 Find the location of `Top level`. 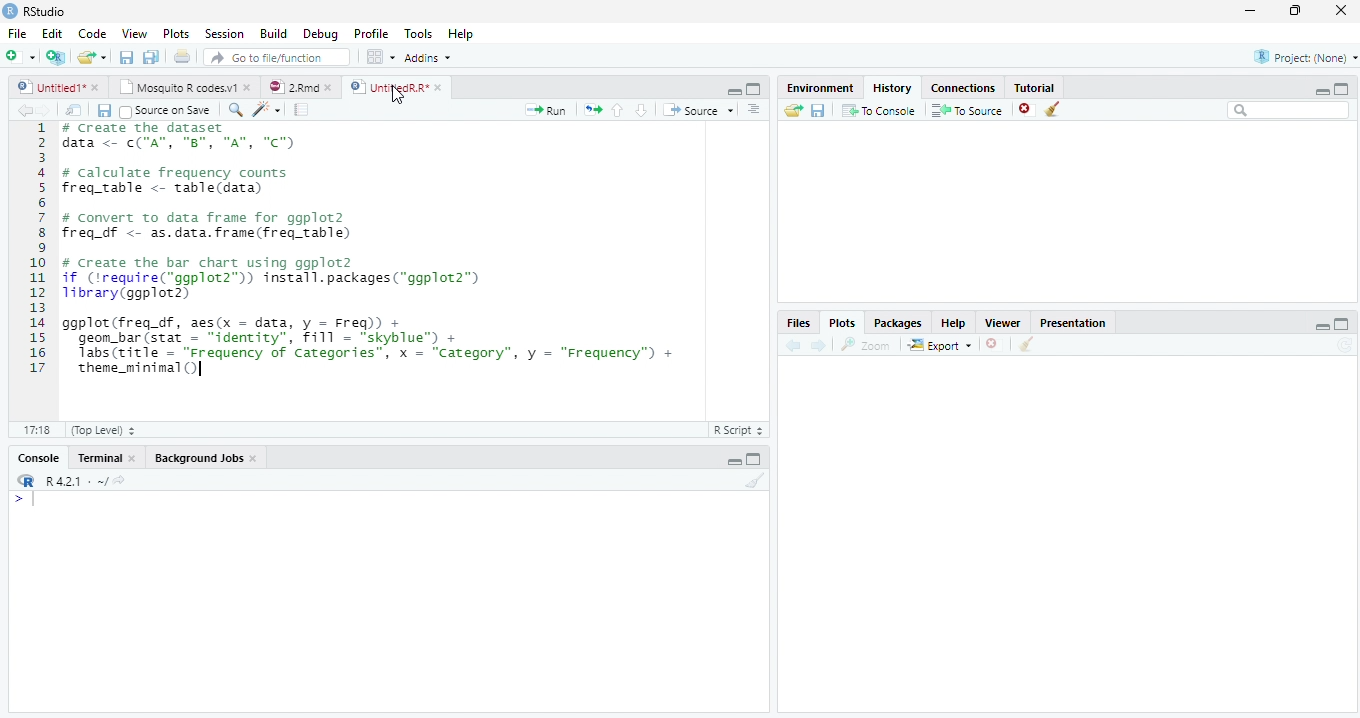

Top level is located at coordinates (99, 431).